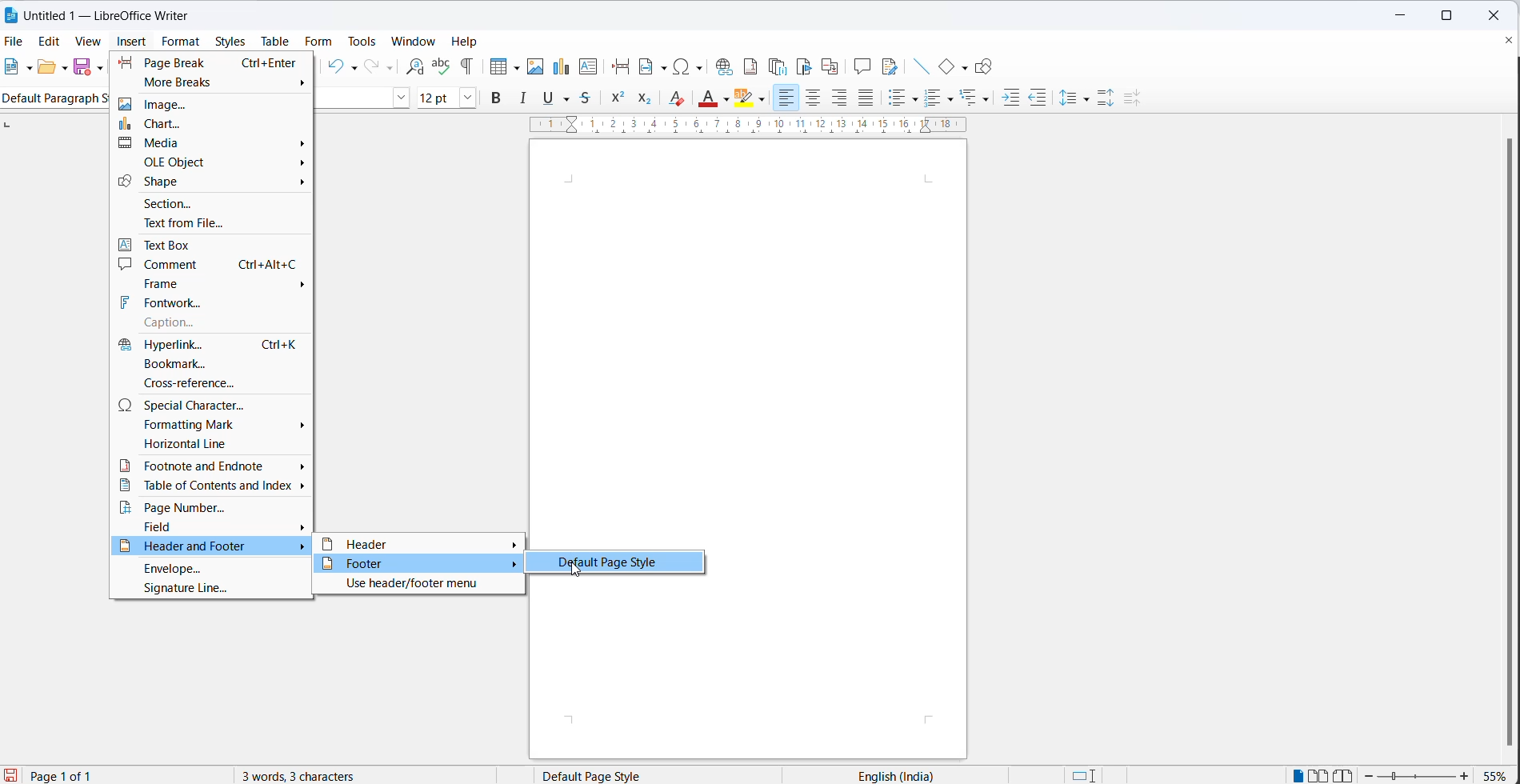 The height and width of the screenshot is (784, 1520). Describe the element at coordinates (1040, 98) in the screenshot. I see `decrease indent` at that location.